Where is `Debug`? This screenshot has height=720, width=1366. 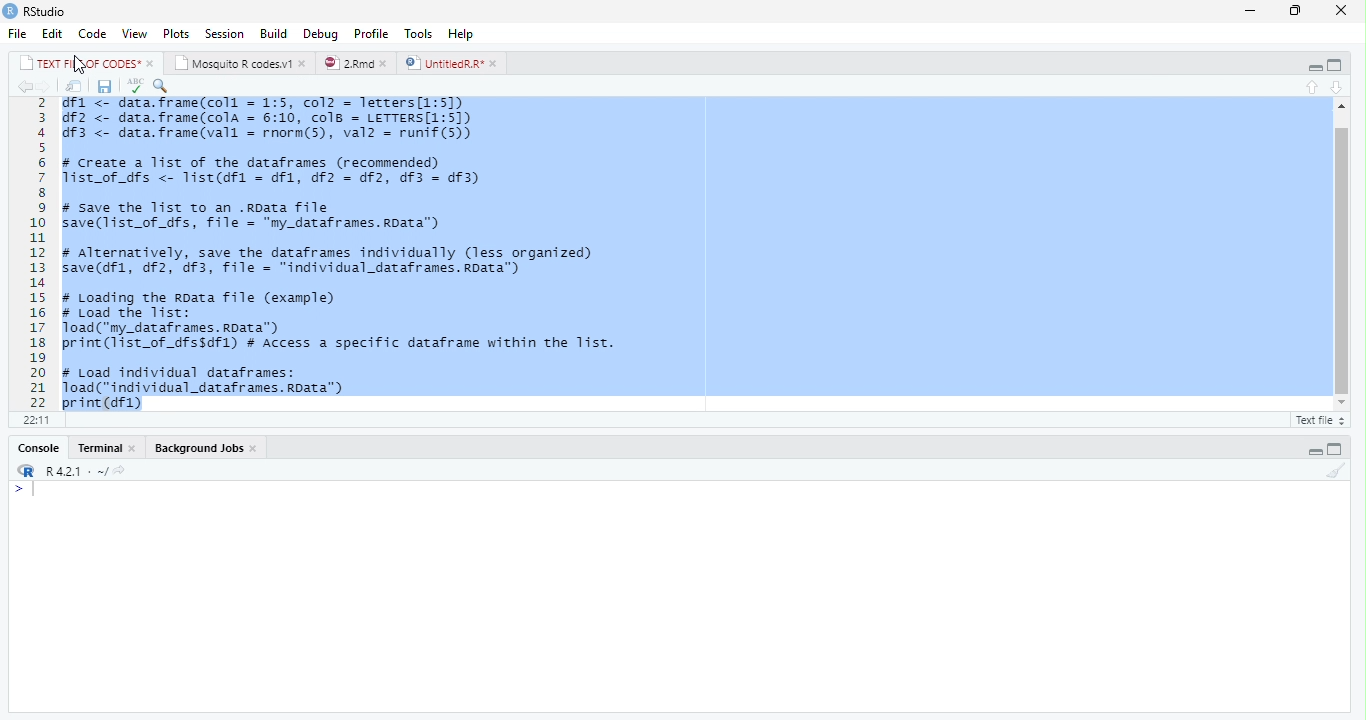
Debug is located at coordinates (321, 33).